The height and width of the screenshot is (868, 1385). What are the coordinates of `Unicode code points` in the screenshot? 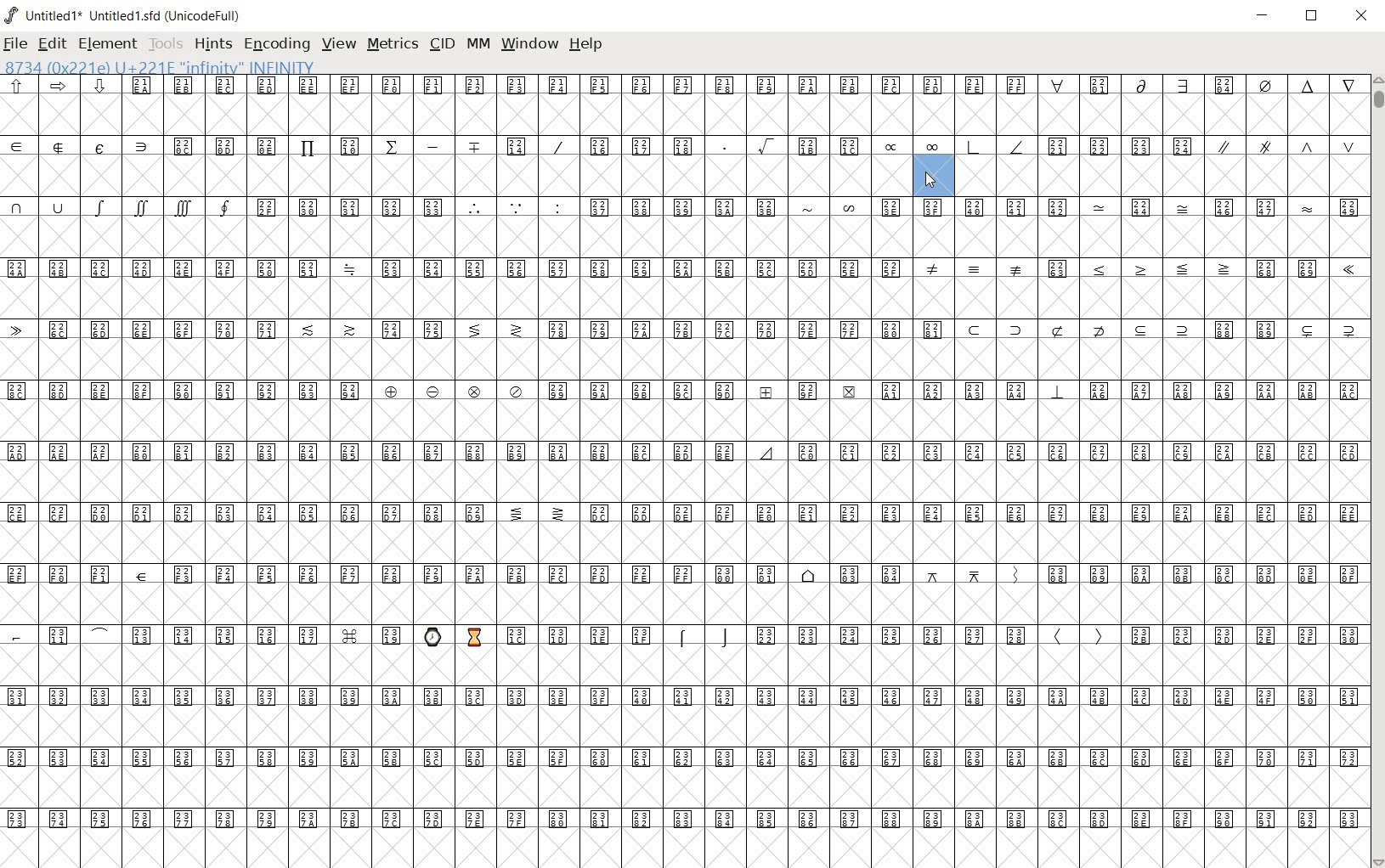 It's located at (516, 145).